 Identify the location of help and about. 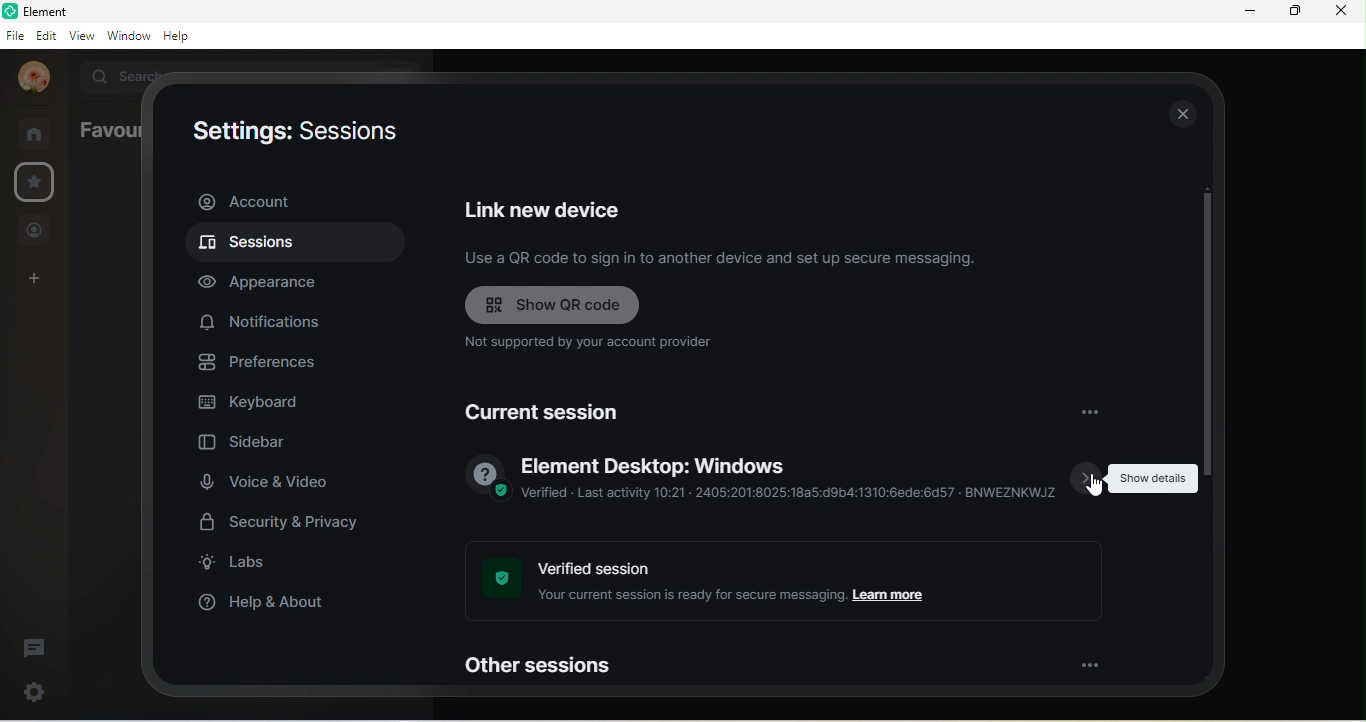
(273, 601).